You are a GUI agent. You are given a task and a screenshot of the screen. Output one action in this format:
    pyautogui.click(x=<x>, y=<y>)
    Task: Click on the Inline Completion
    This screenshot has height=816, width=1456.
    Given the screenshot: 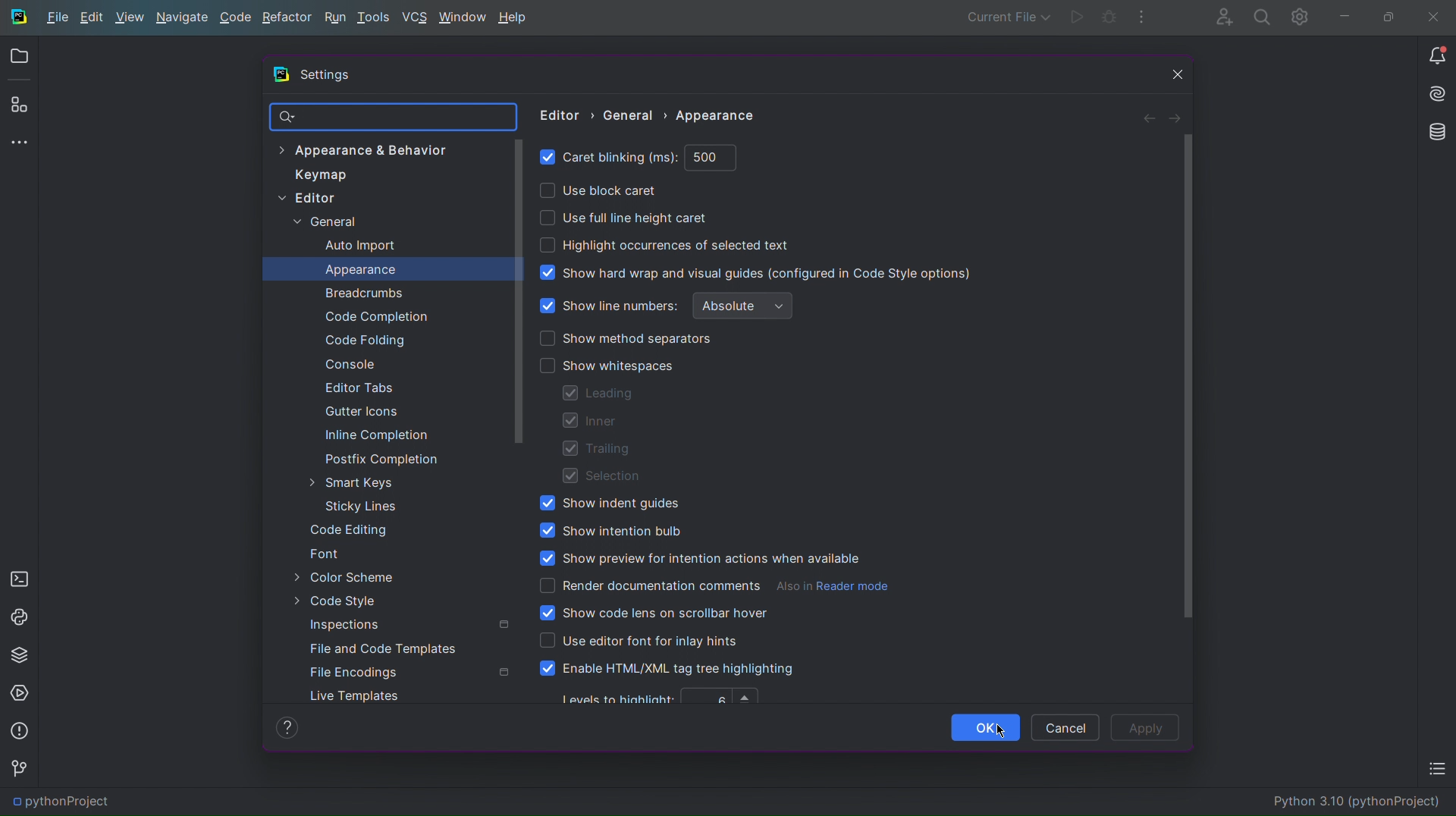 What is the action you would take?
    pyautogui.click(x=375, y=437)
    